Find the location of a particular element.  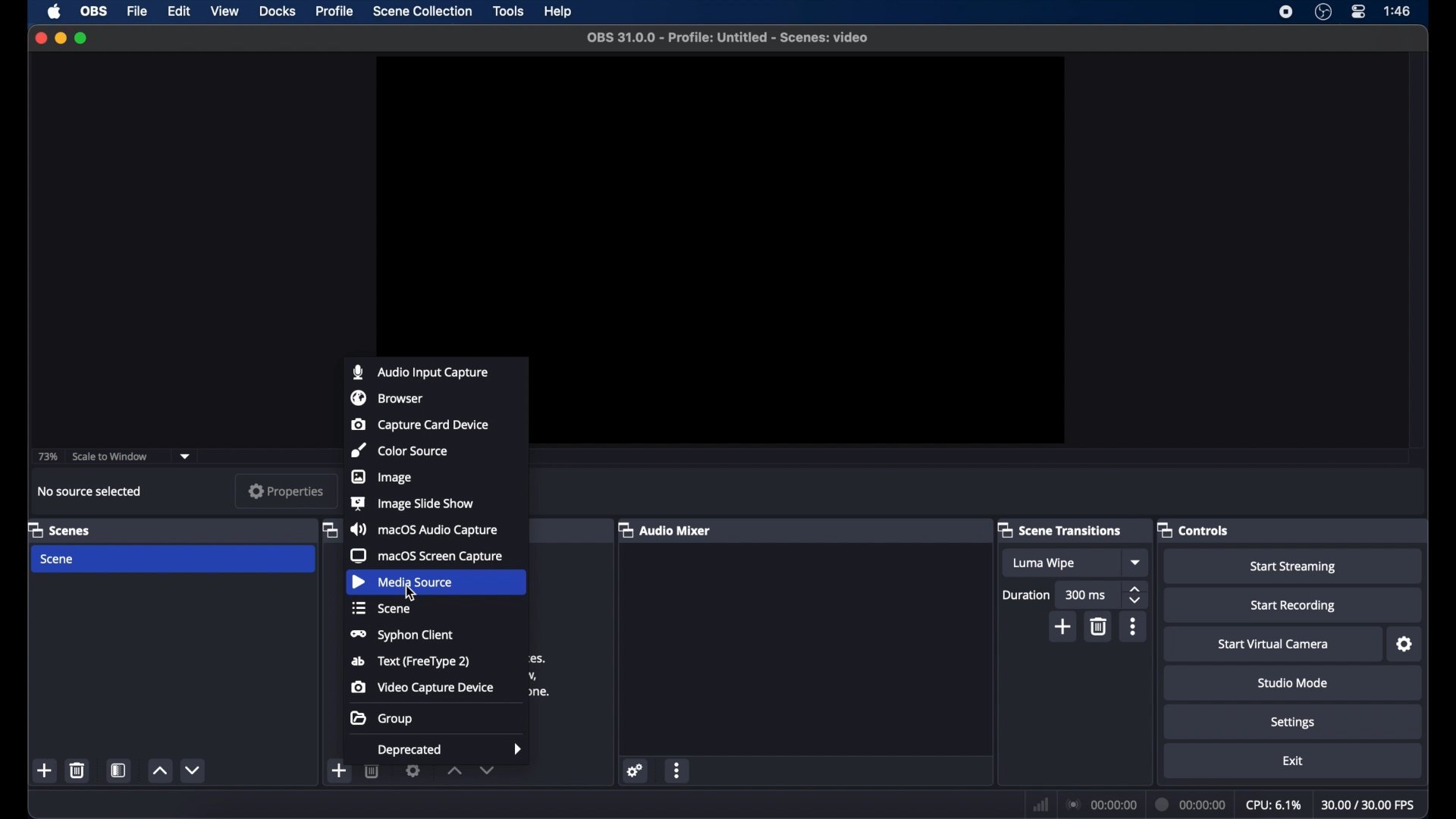

screen recorder icon is located at coordinates (1286, 12).